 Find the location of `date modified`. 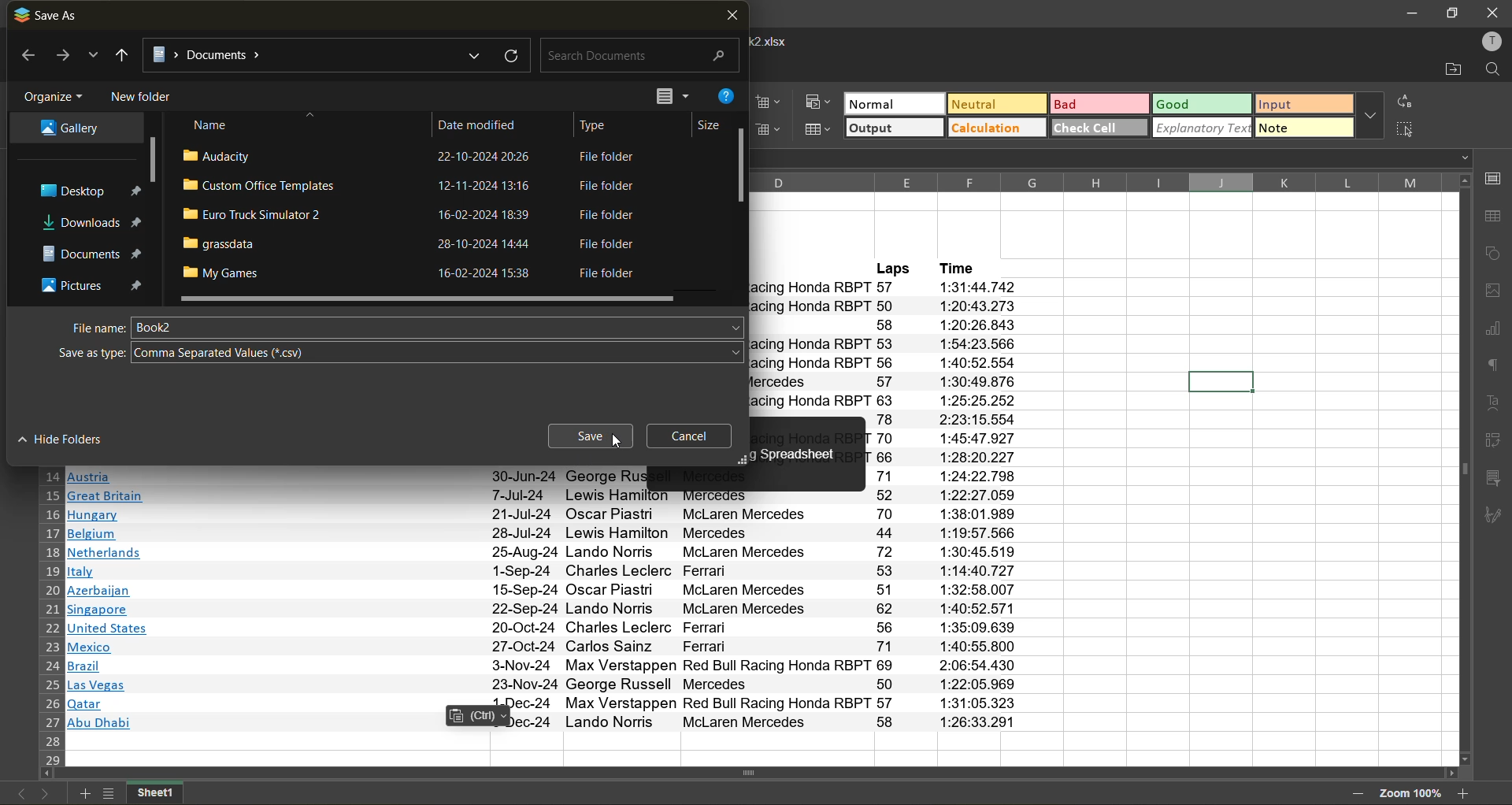

date modified is located at coordinates (487, 122).